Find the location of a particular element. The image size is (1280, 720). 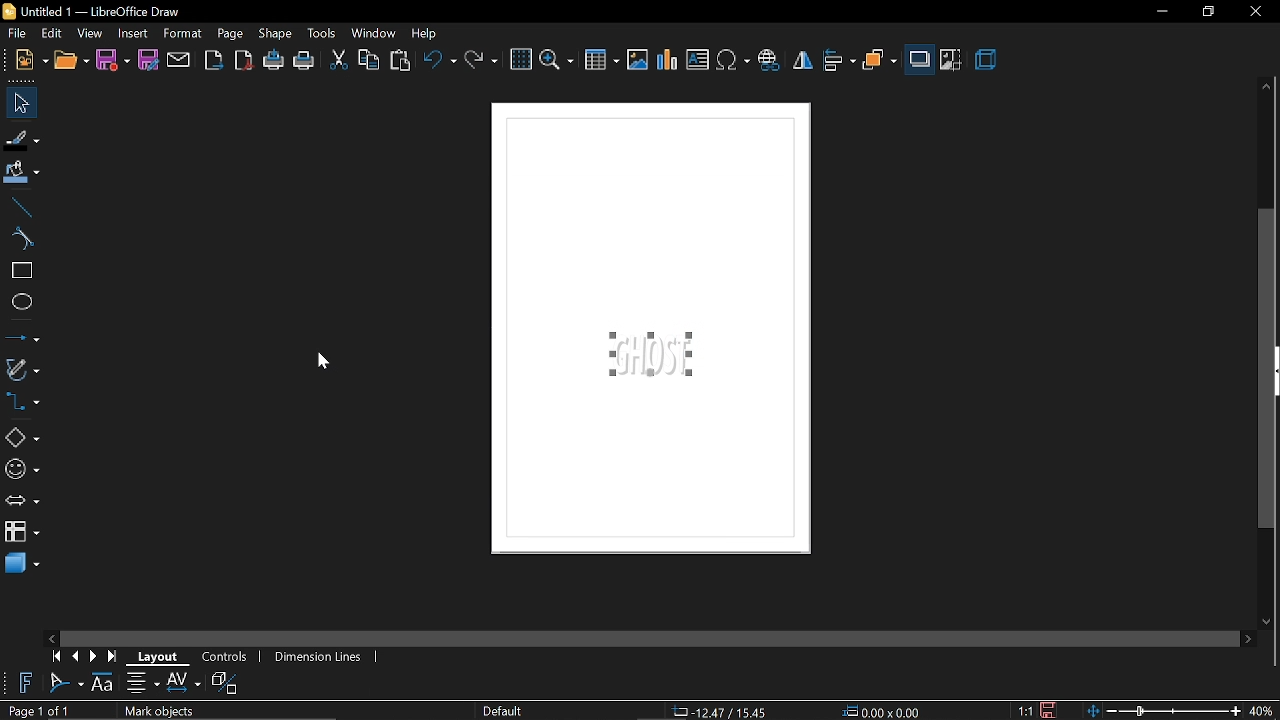

next page is located at coordinates (90, 656).